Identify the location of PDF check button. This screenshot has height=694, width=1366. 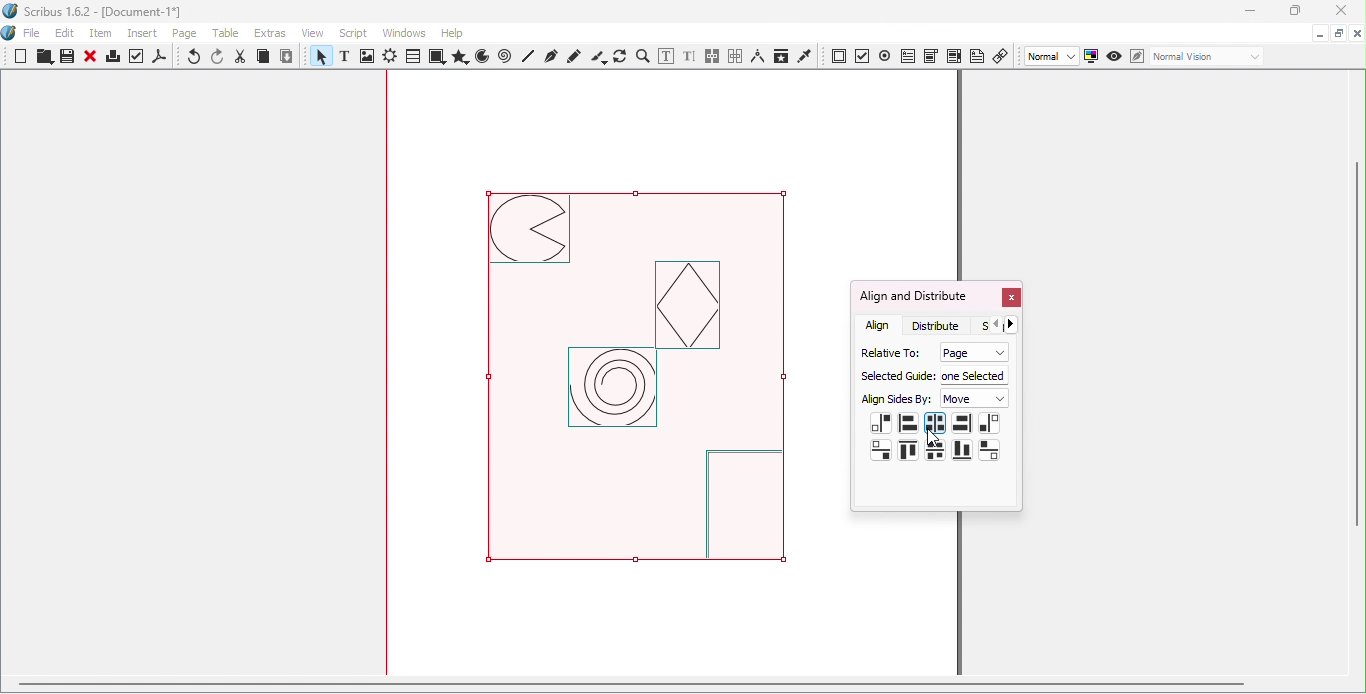
(863, 55).